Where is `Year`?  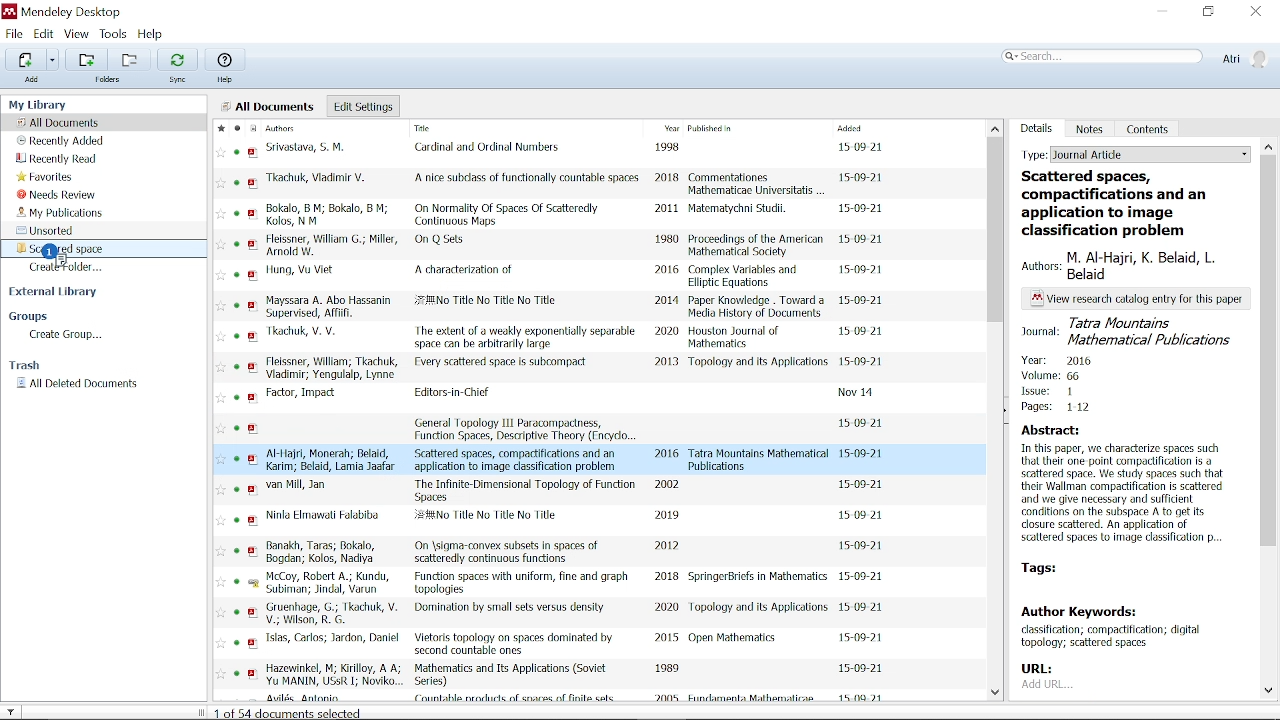 Year is located at coordinates (669, 129).